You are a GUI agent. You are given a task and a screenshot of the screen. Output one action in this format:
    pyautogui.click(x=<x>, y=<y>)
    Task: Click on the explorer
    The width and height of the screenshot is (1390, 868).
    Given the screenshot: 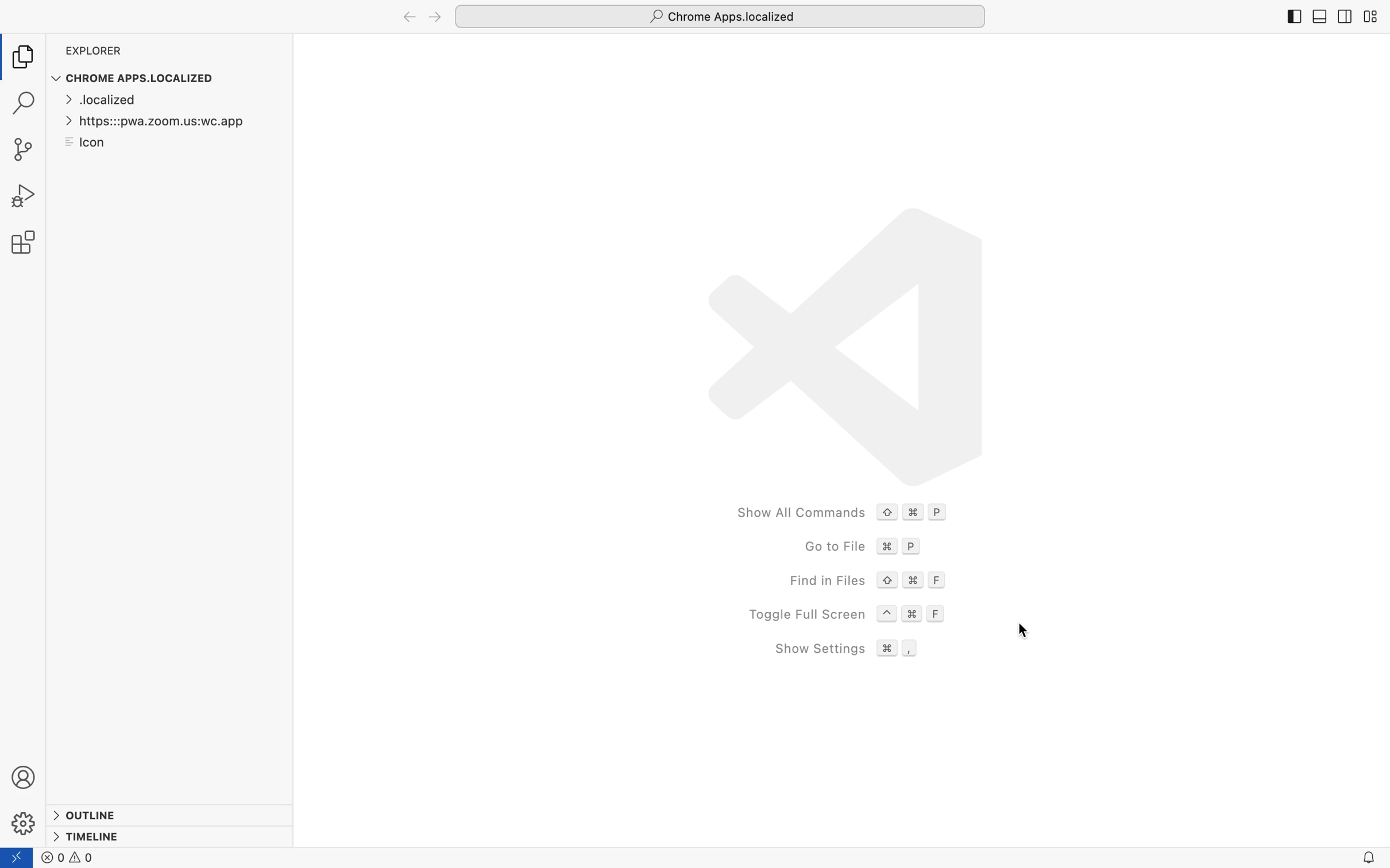 What is the action you would take?
    pyautogui.click(x=95, y=52)
    